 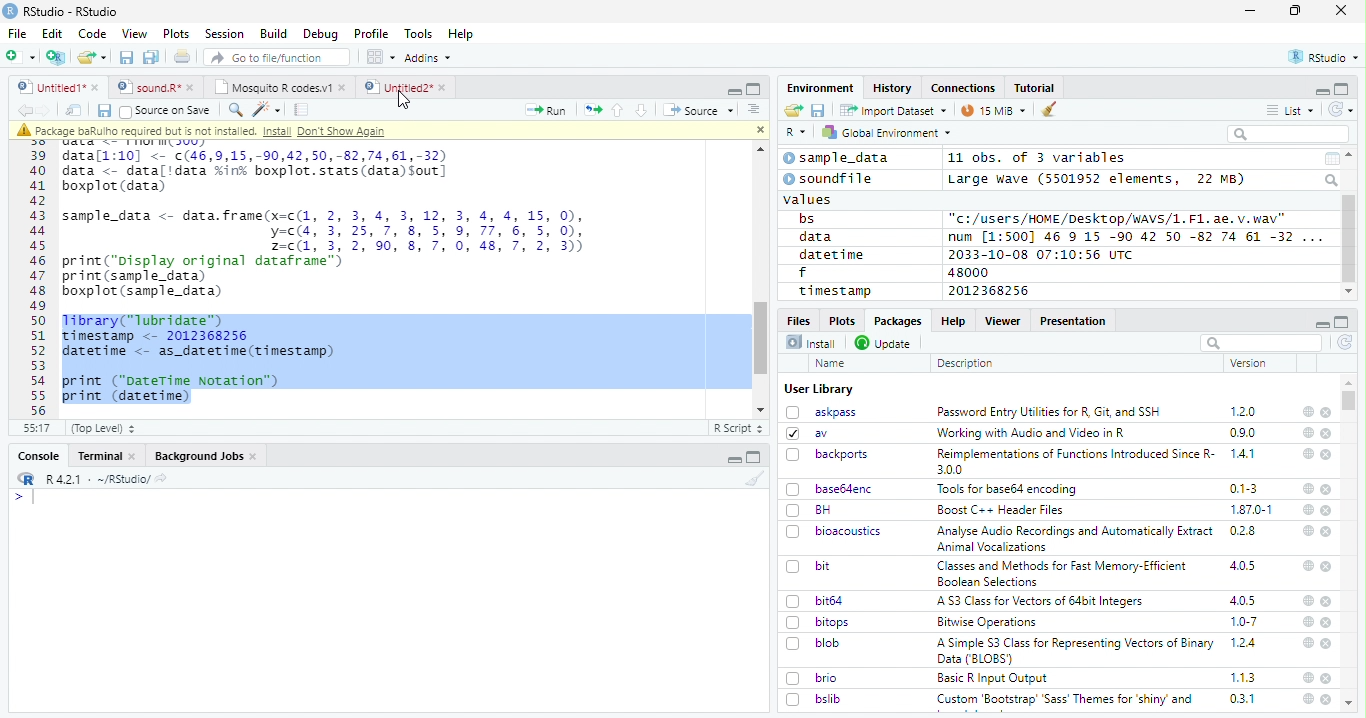 What do you see at coordinates (417, 34) in the screenshot?
I see `Tools` at bounding box center [417, 34].